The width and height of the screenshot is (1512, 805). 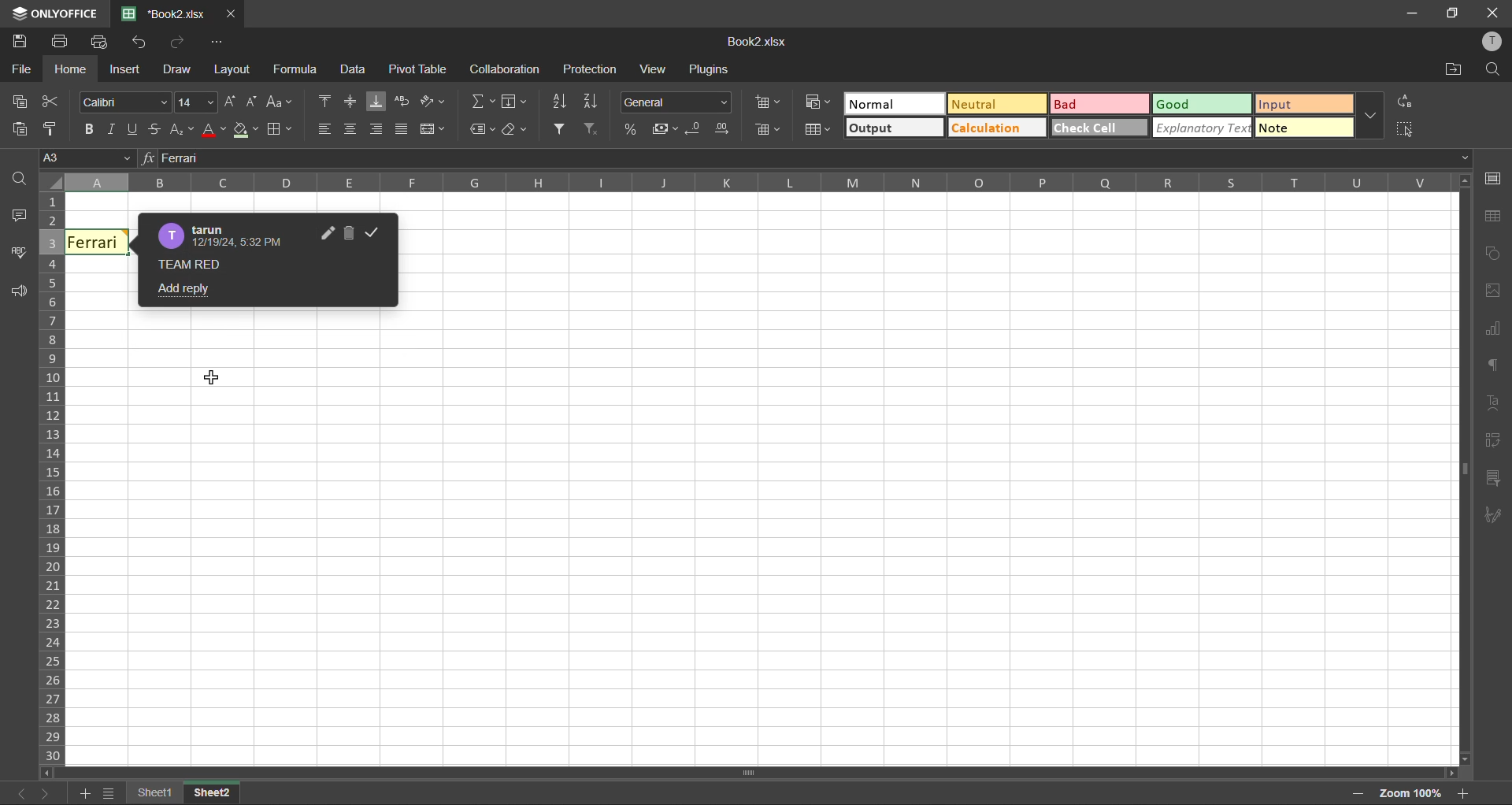 I want to click on decrease decimal, so click(x=695, y=129).